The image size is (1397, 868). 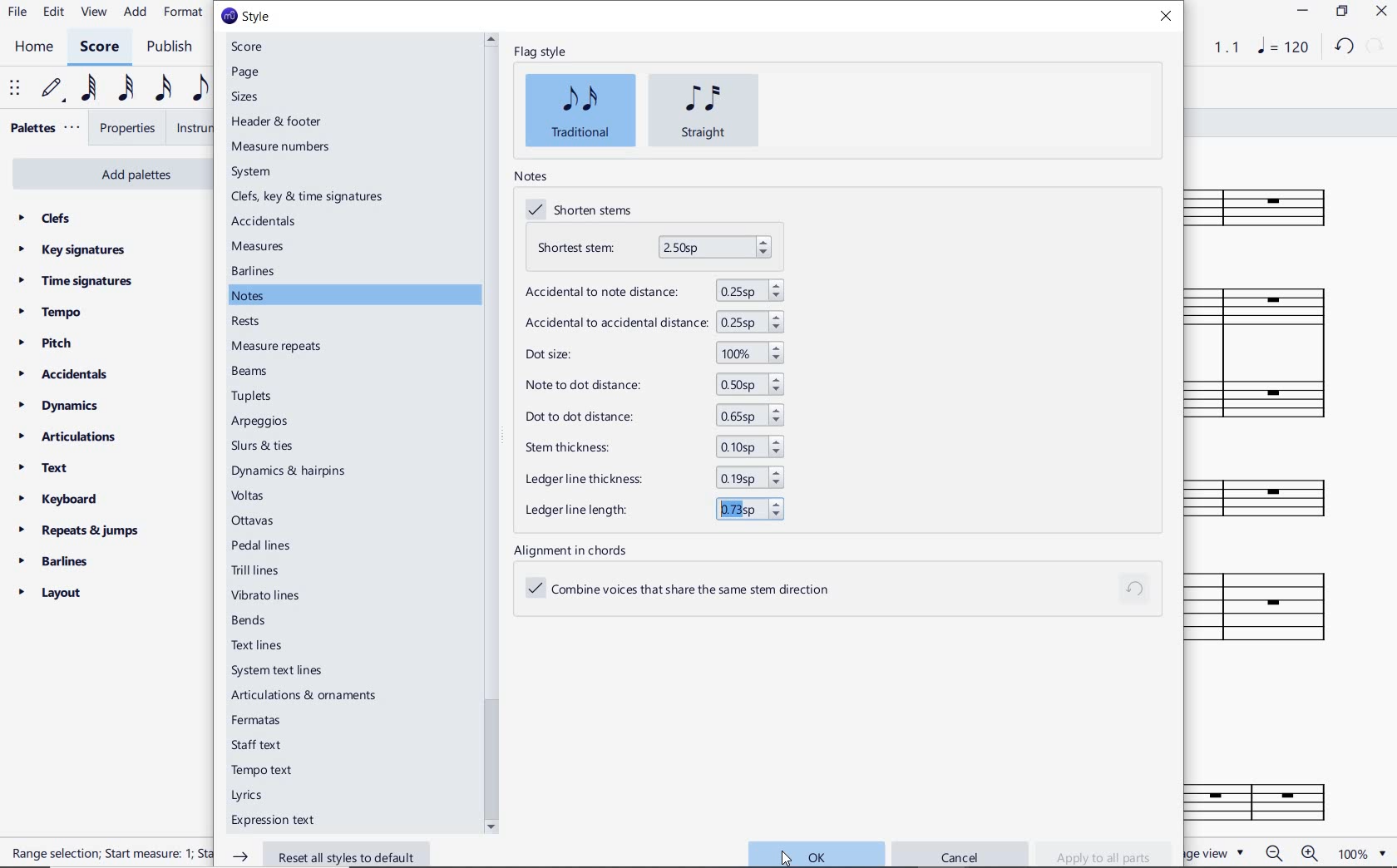 I want to click on dot to dot distance, so click(x=650, y=417).